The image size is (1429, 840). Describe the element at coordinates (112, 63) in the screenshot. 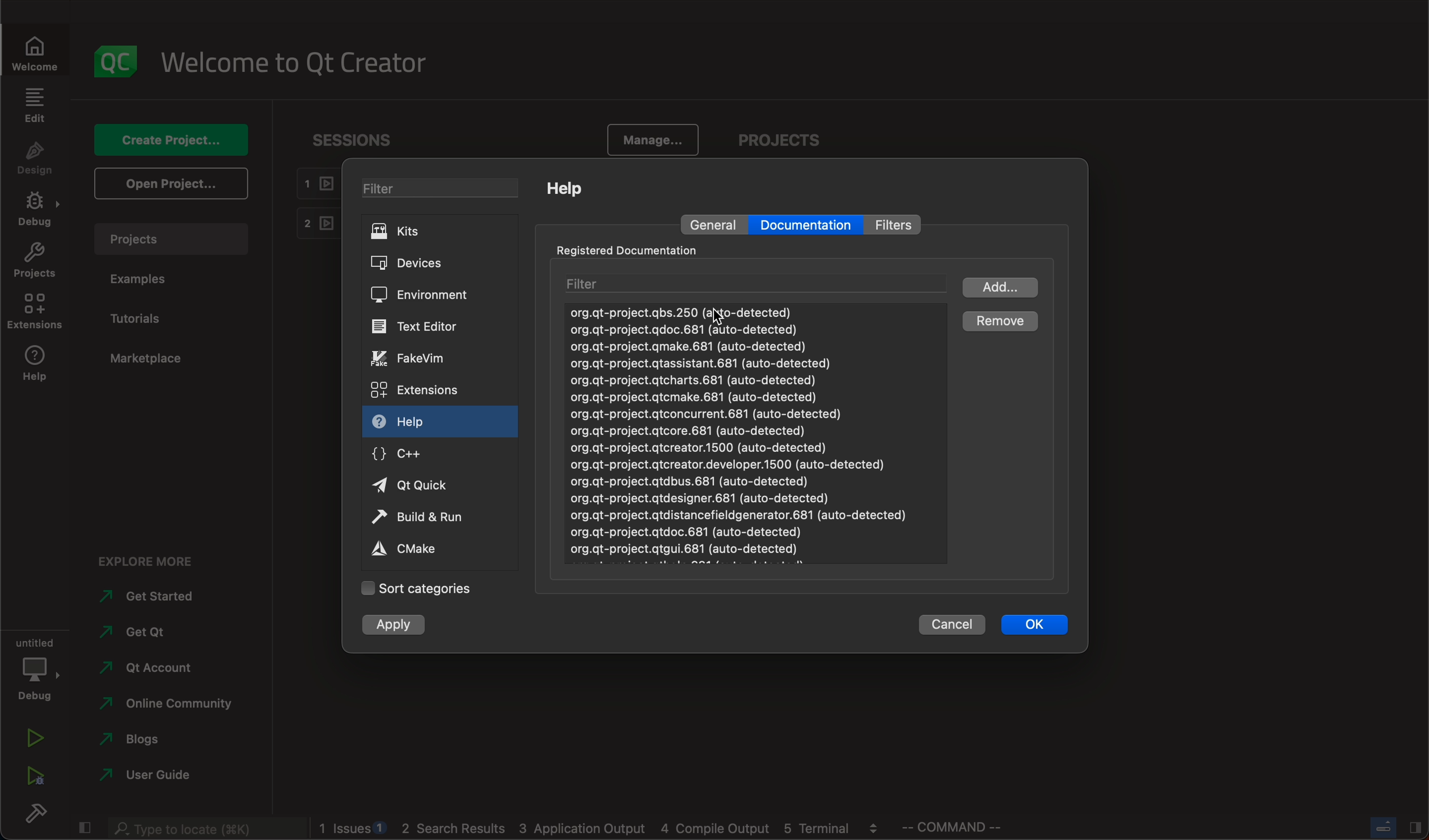

I see `logo` at that location.